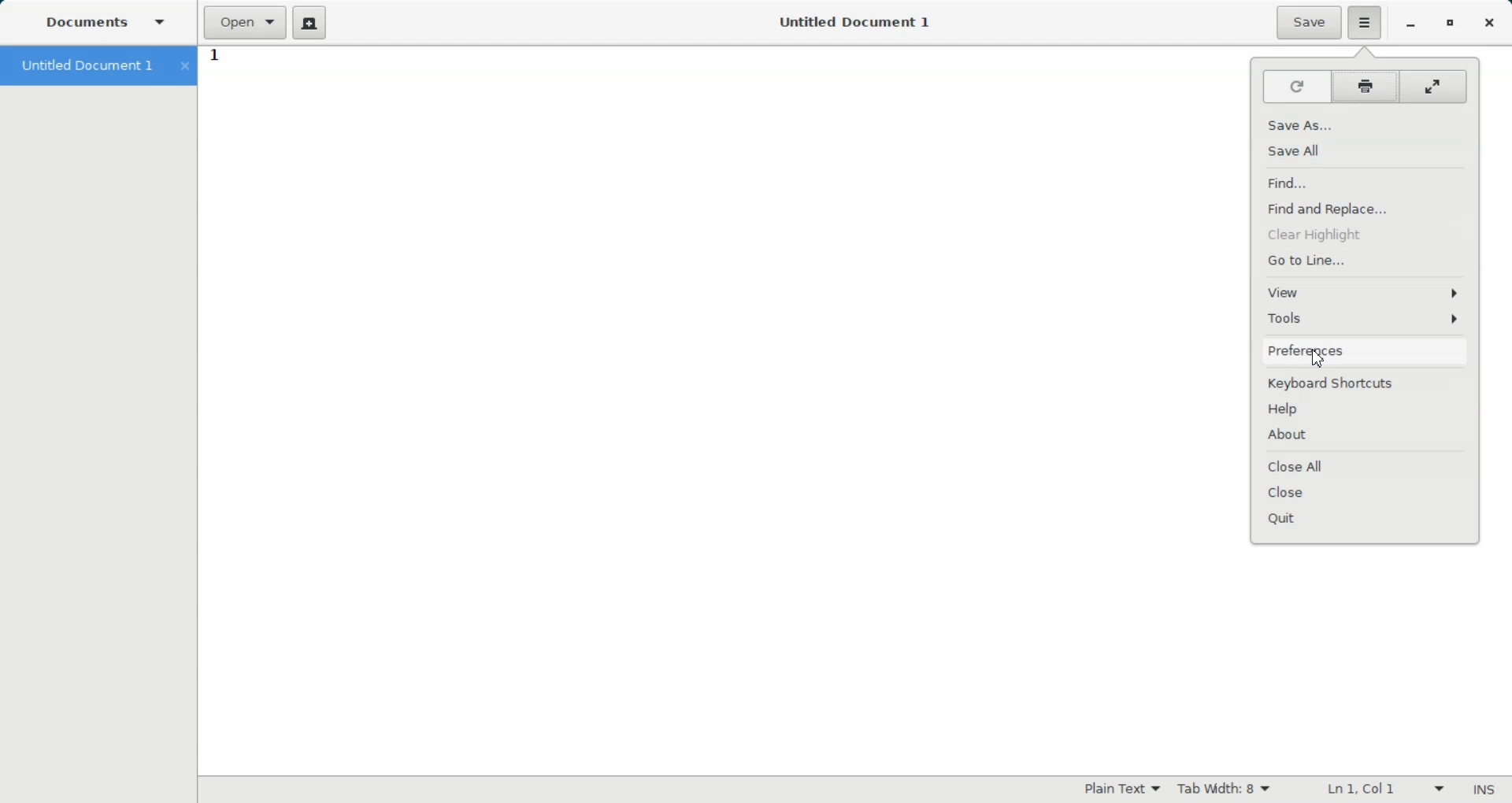 This screenshot has width=1512, height=803. What do you see at coordinates (1366, 153) in the screenshot?
I see `Save All` at bounding box center [1366, 153].